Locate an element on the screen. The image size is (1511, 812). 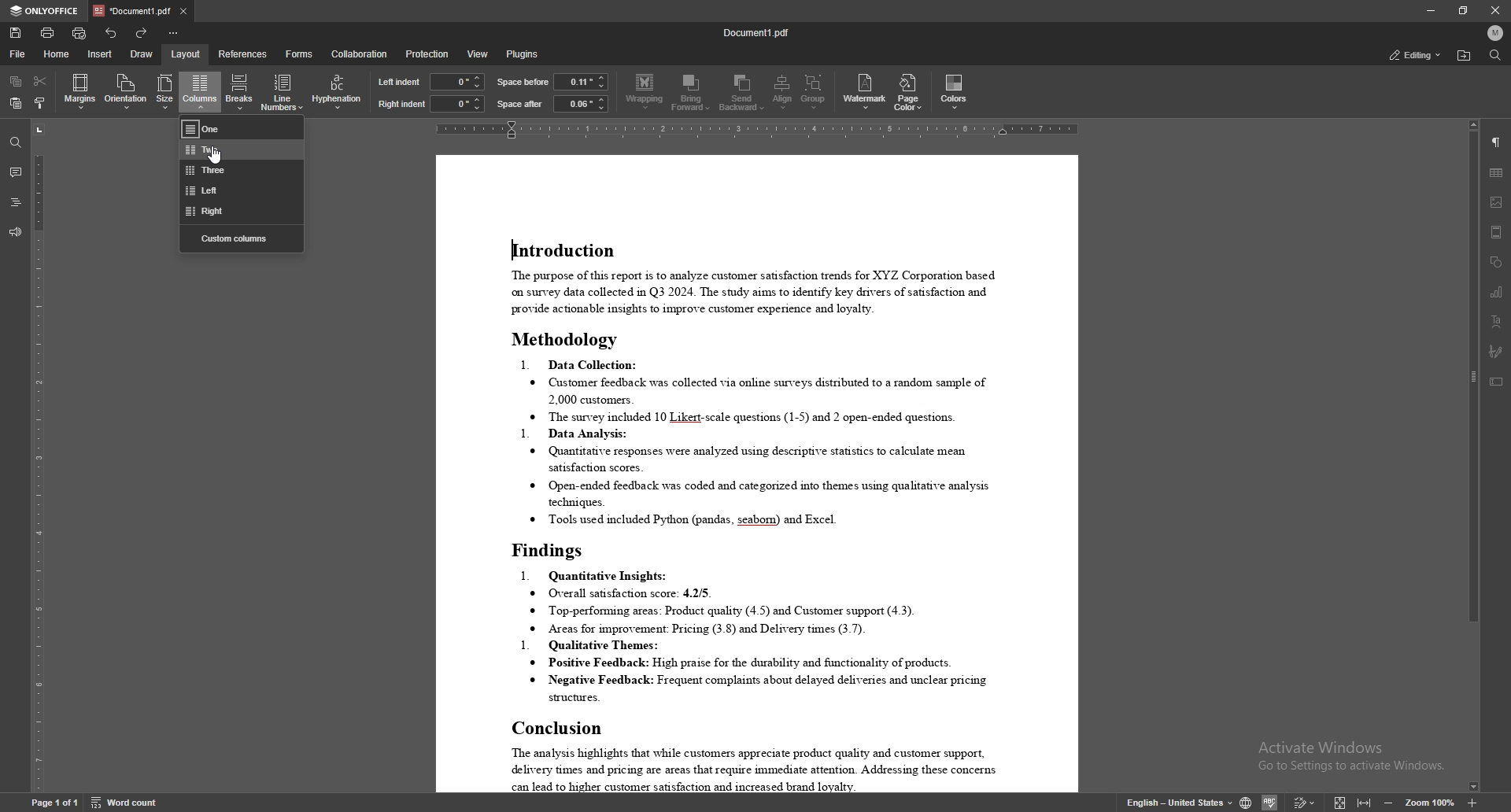
document is located at coordinates (758, 474).